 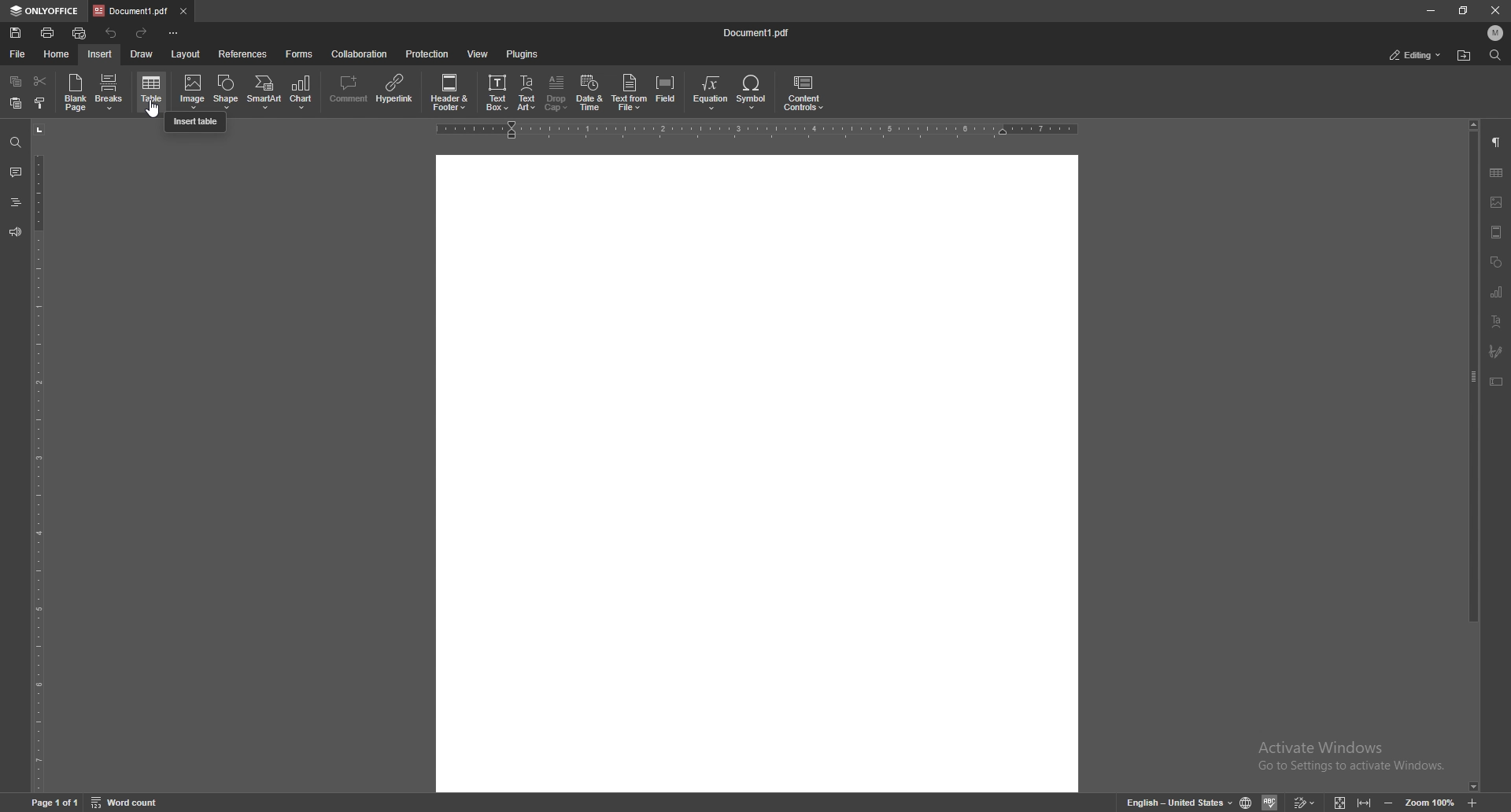 What do you see at coordinates (758, 32) in the screenshot?
I see `file name` at bounding box center [758, 32].